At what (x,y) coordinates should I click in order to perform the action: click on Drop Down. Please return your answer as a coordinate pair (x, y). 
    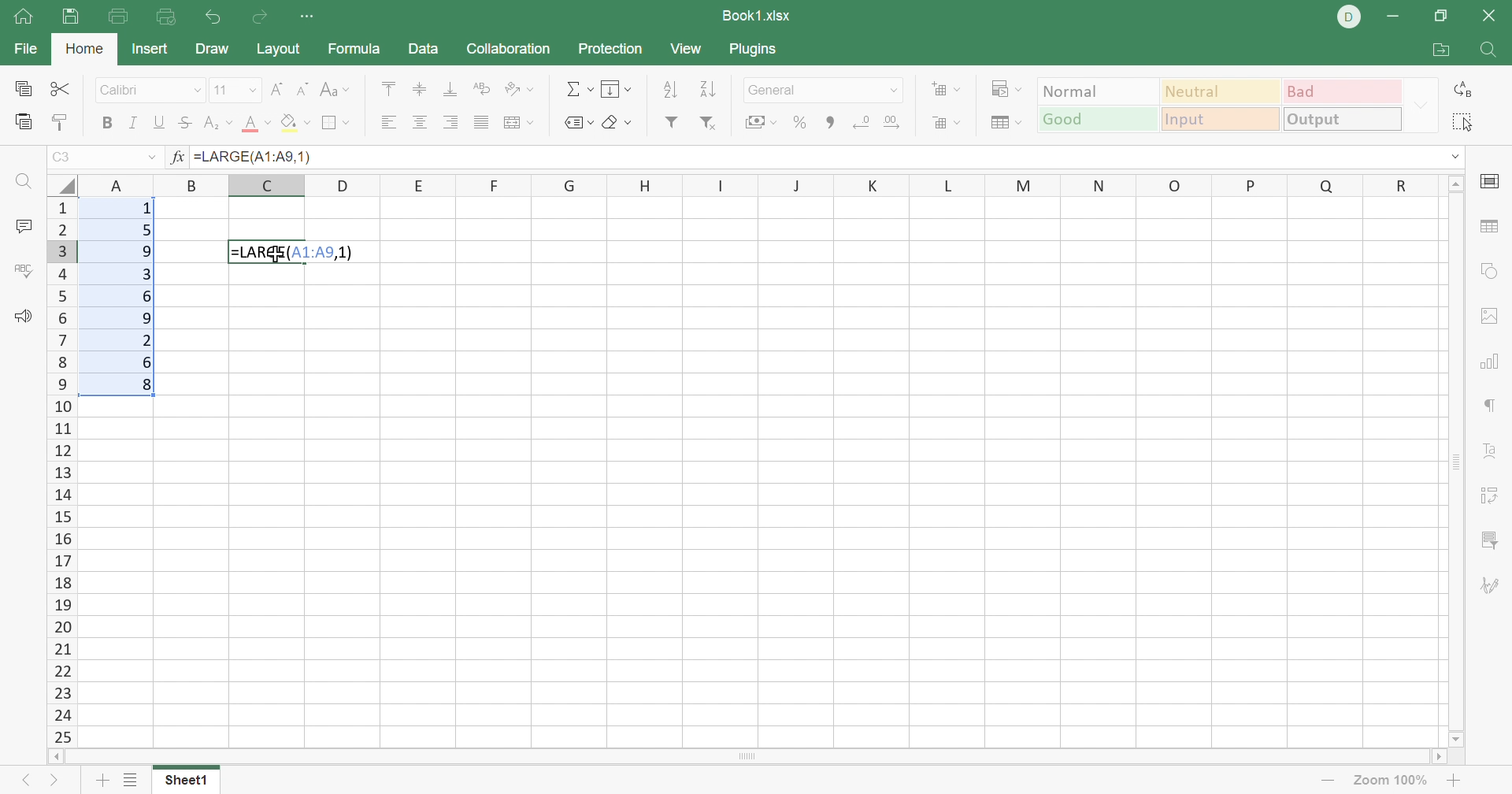
    Looking at the image, I should click on (1458, 156).